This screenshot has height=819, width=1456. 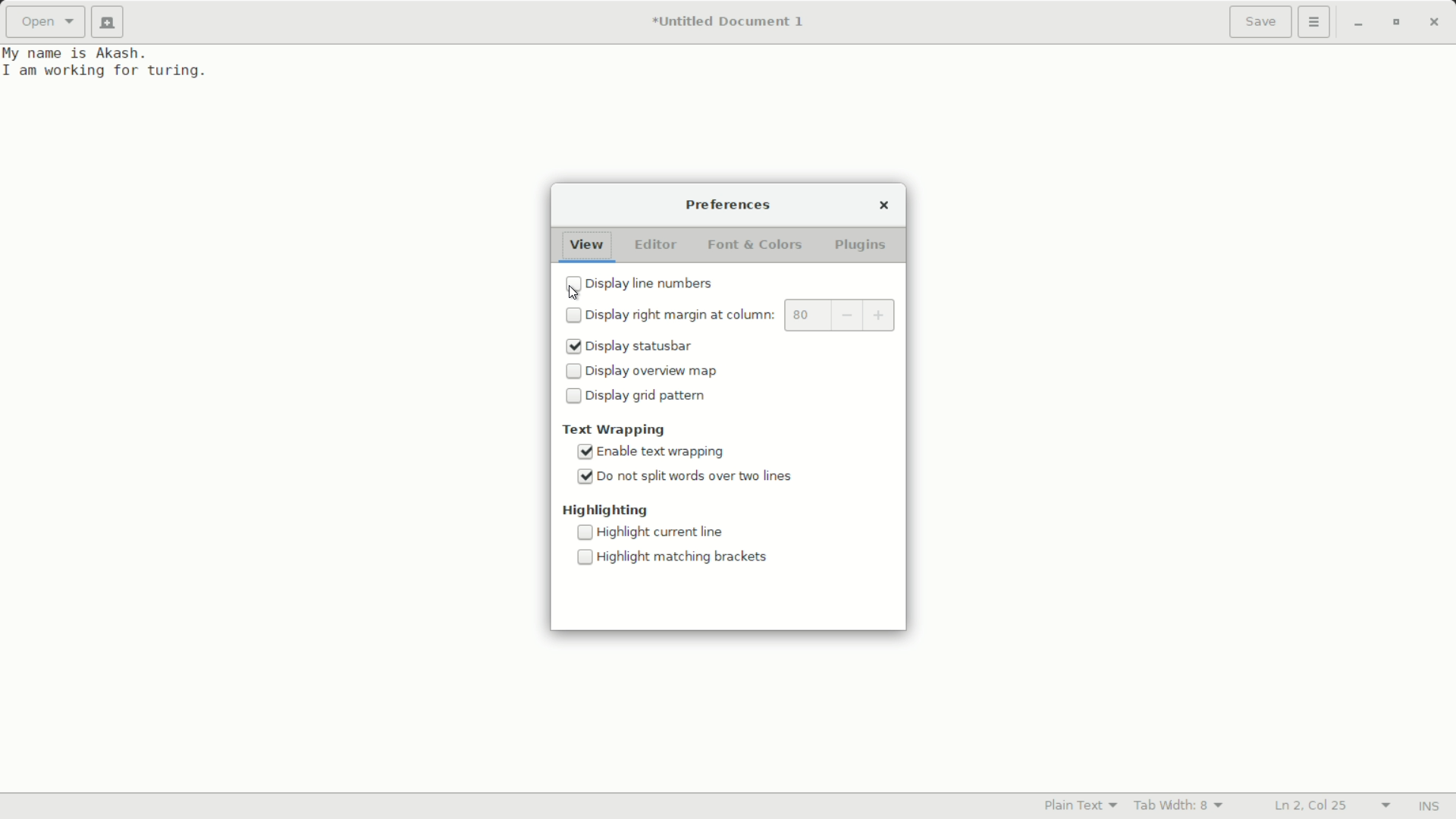 What do you see at coordinates (573, 347) in the screenshot?
I see `checked checkbox` at bounding box center [573, 347].